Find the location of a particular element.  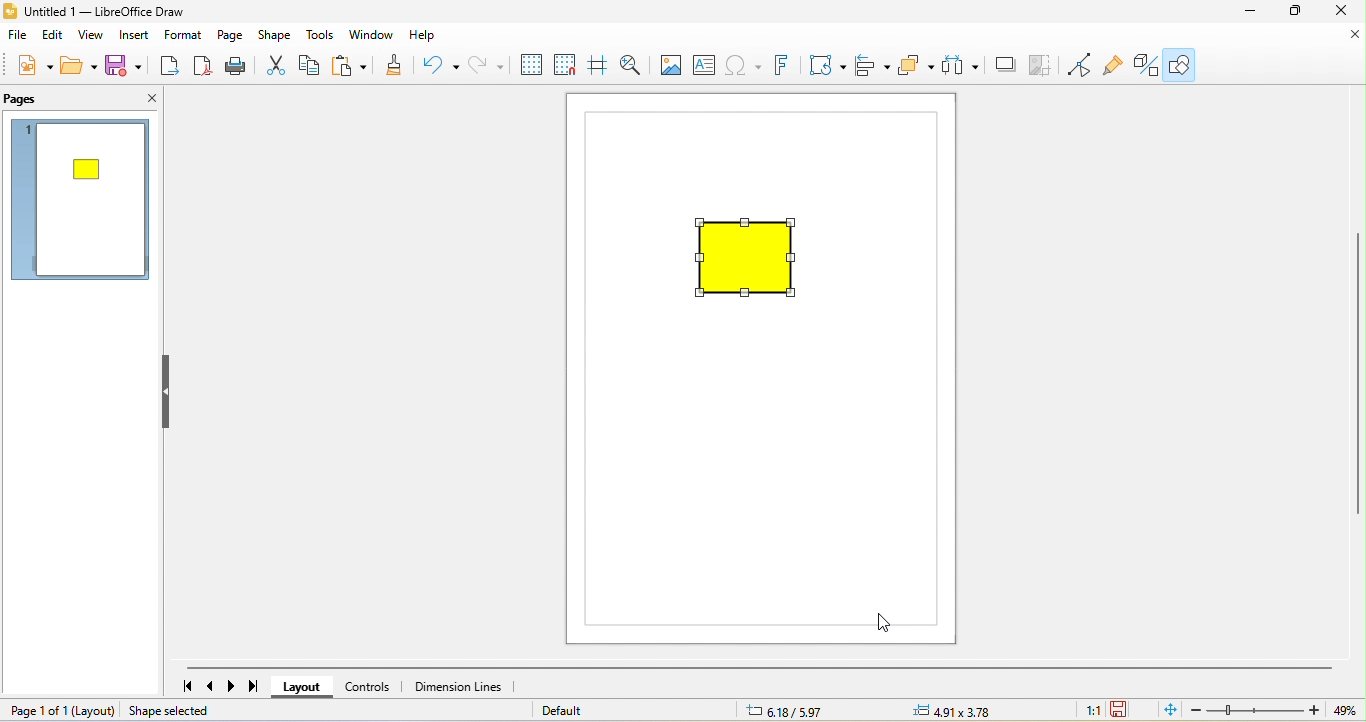

shape fill color change is located at coordinates (753, 260).